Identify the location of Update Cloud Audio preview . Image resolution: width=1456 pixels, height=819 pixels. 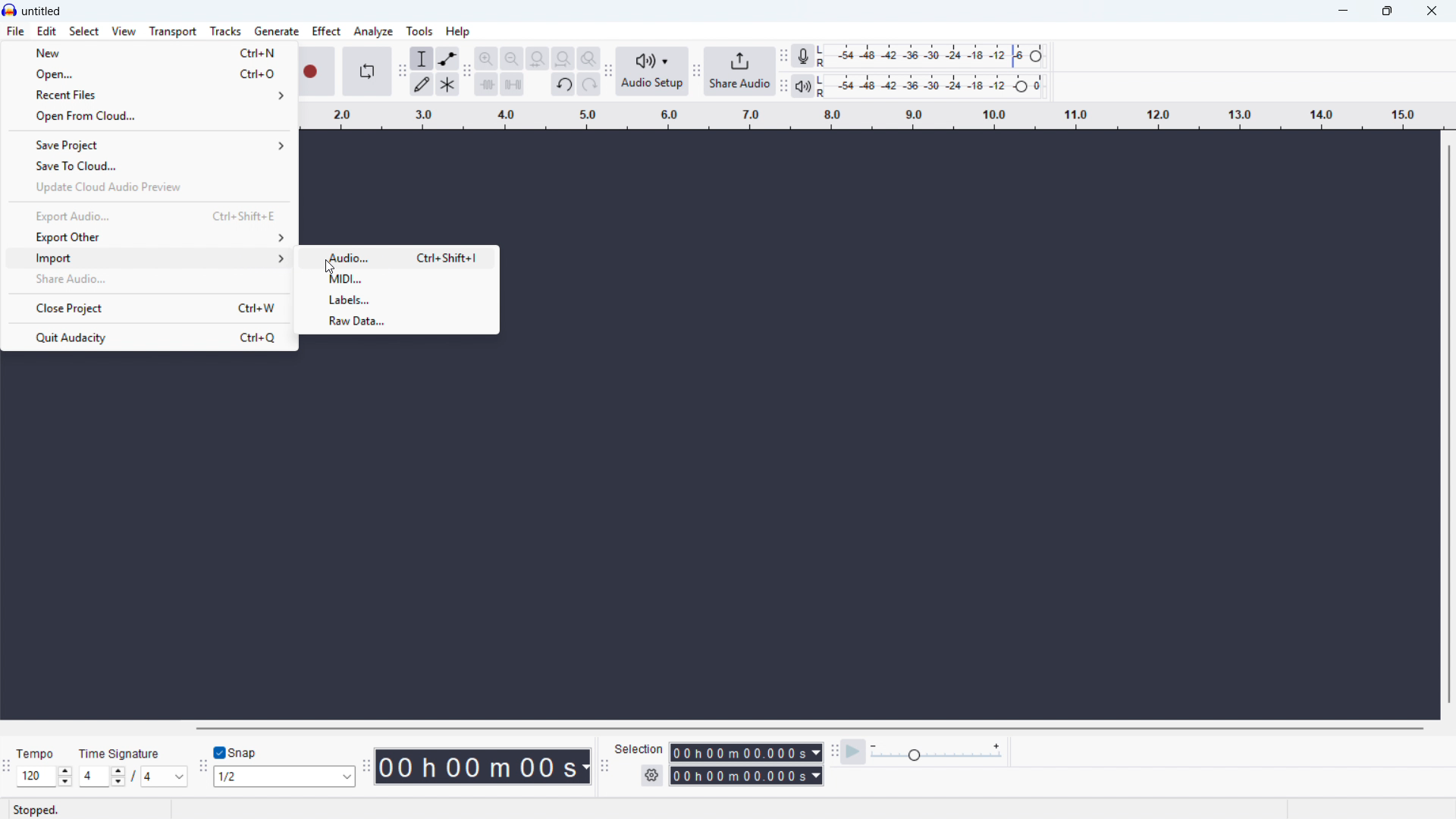
(146, 190).